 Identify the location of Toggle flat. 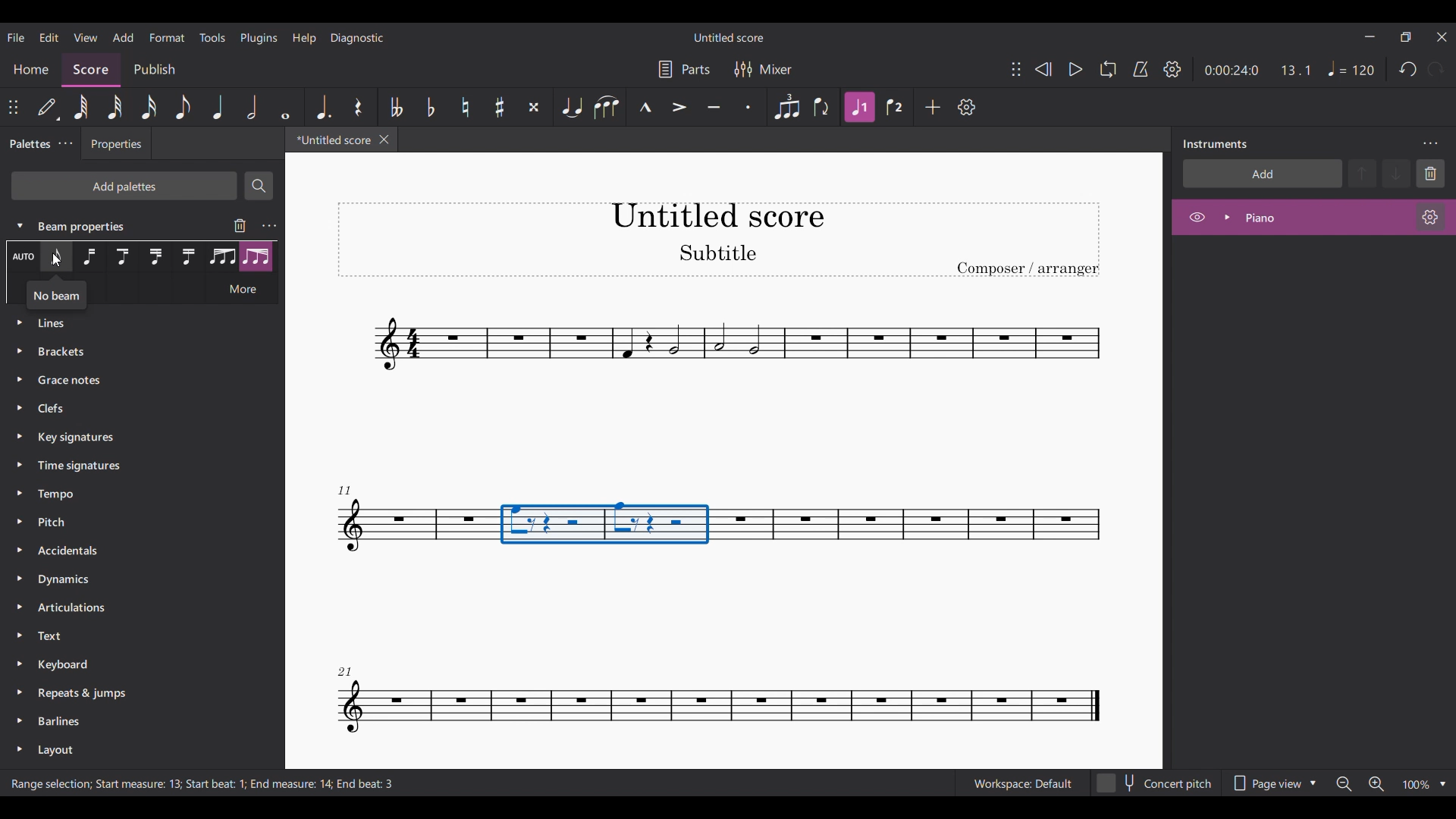
(431, 107).